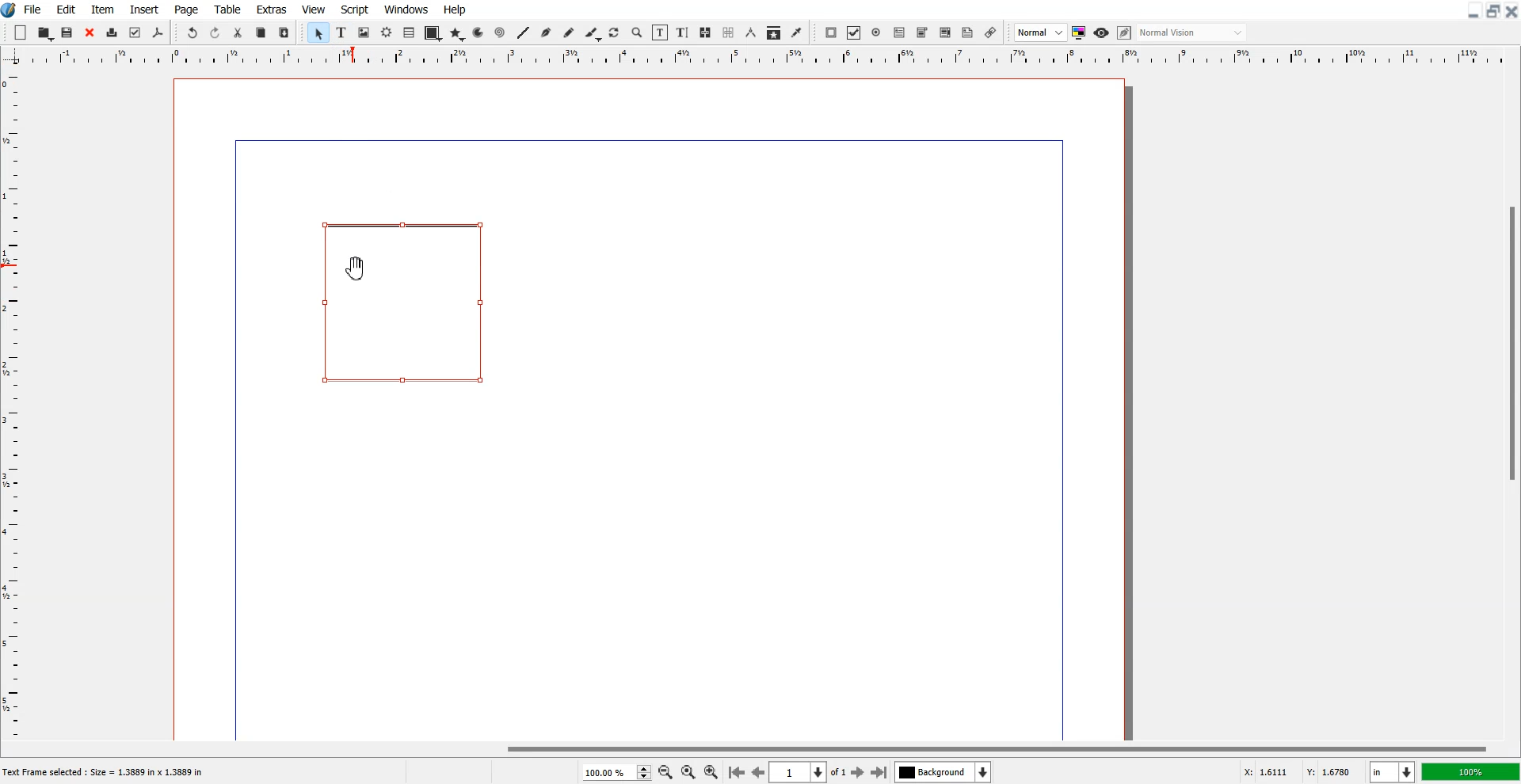  What do you see at coordinates (499, 33) in the screenshot?
I see `Spiral` at bounding box center [499, 33].